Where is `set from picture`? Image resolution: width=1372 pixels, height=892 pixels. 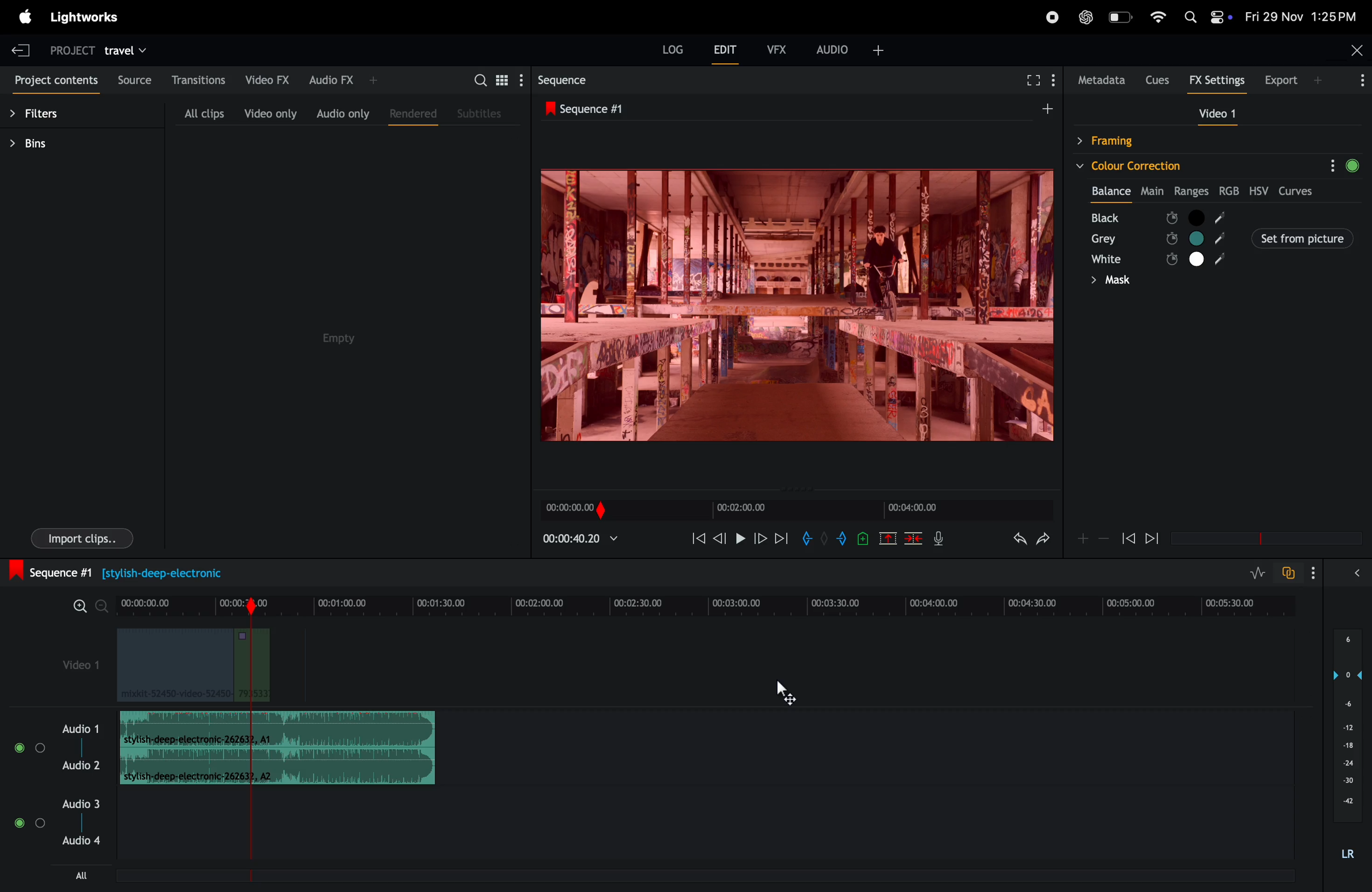
set from picture is located at coordinates (1207, 237).